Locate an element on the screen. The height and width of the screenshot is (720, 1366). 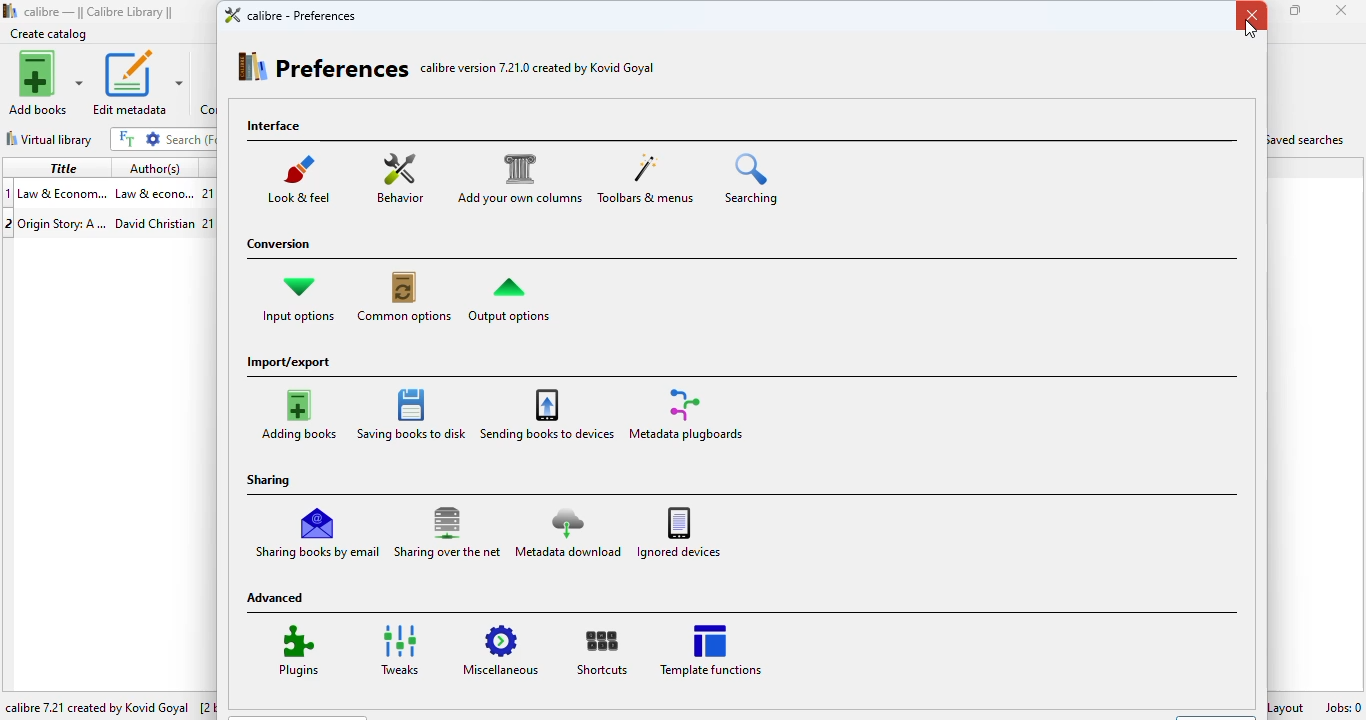
close is located at coordinates (1341, 10).